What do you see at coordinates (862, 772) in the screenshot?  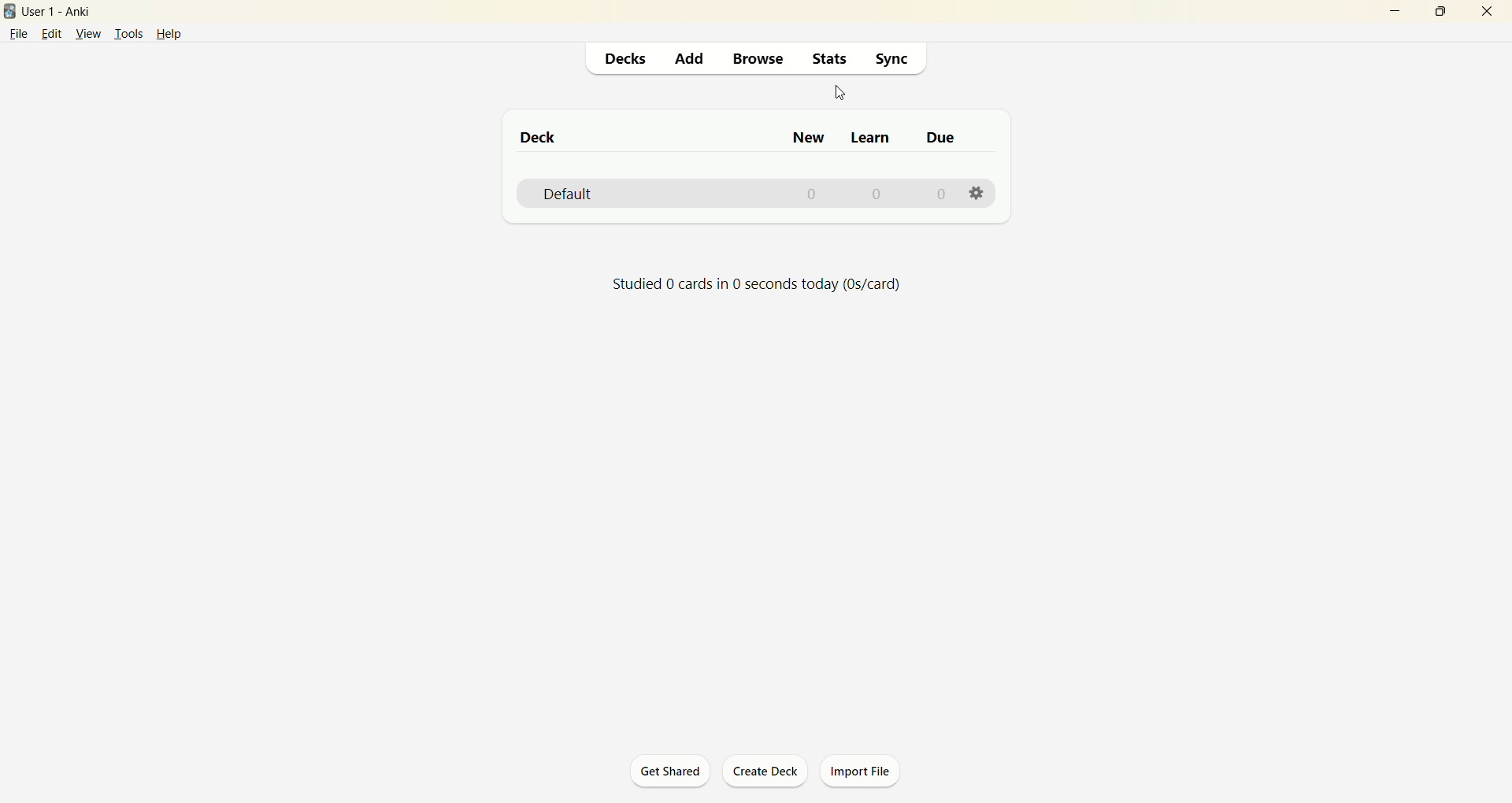 I see `import file` at bounding box center [862, 772].